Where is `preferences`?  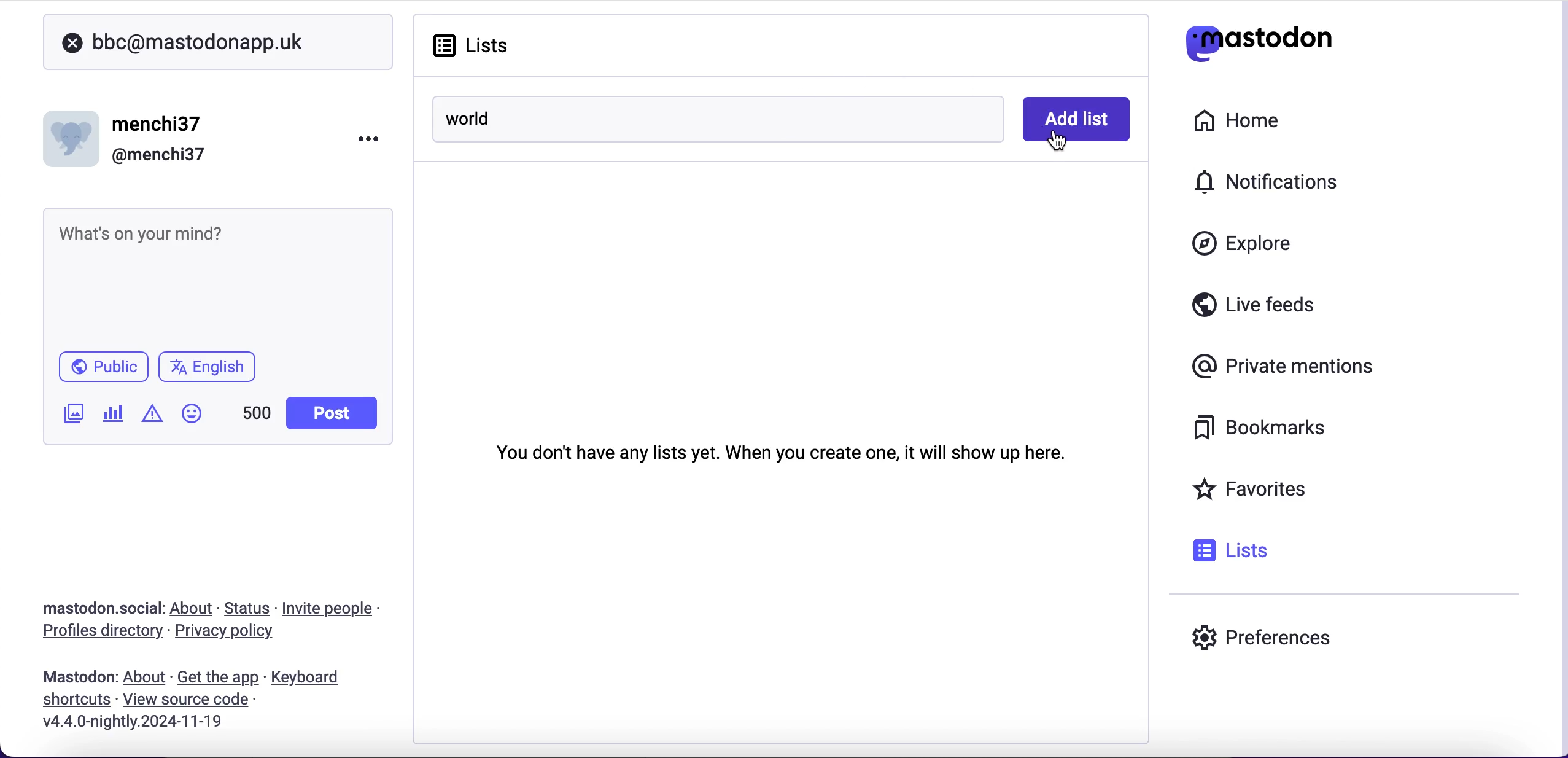 preferences is located at coordinates (1262, 637).